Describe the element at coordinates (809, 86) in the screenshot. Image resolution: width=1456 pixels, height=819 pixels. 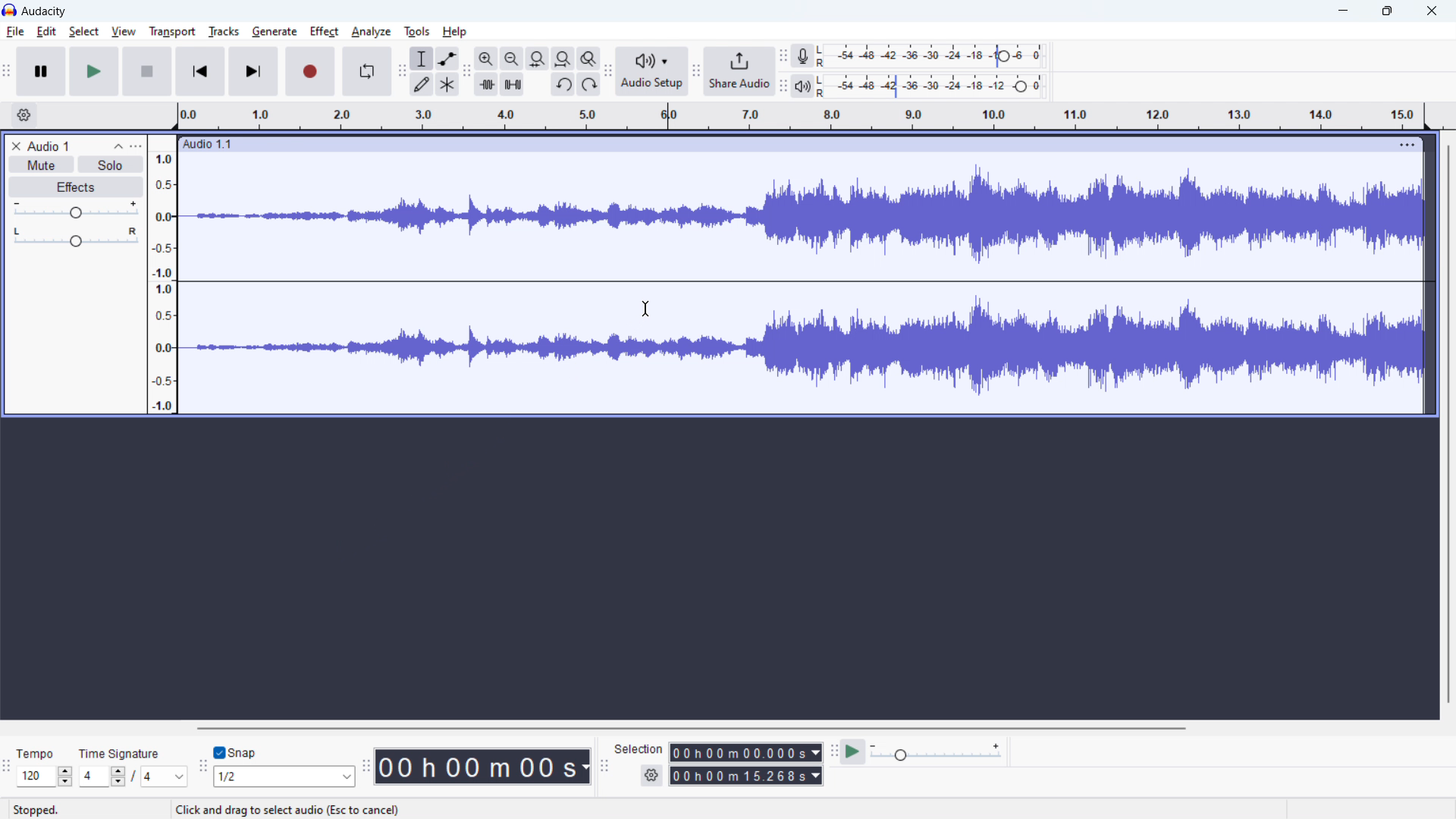
I see `playback meter` at that location.